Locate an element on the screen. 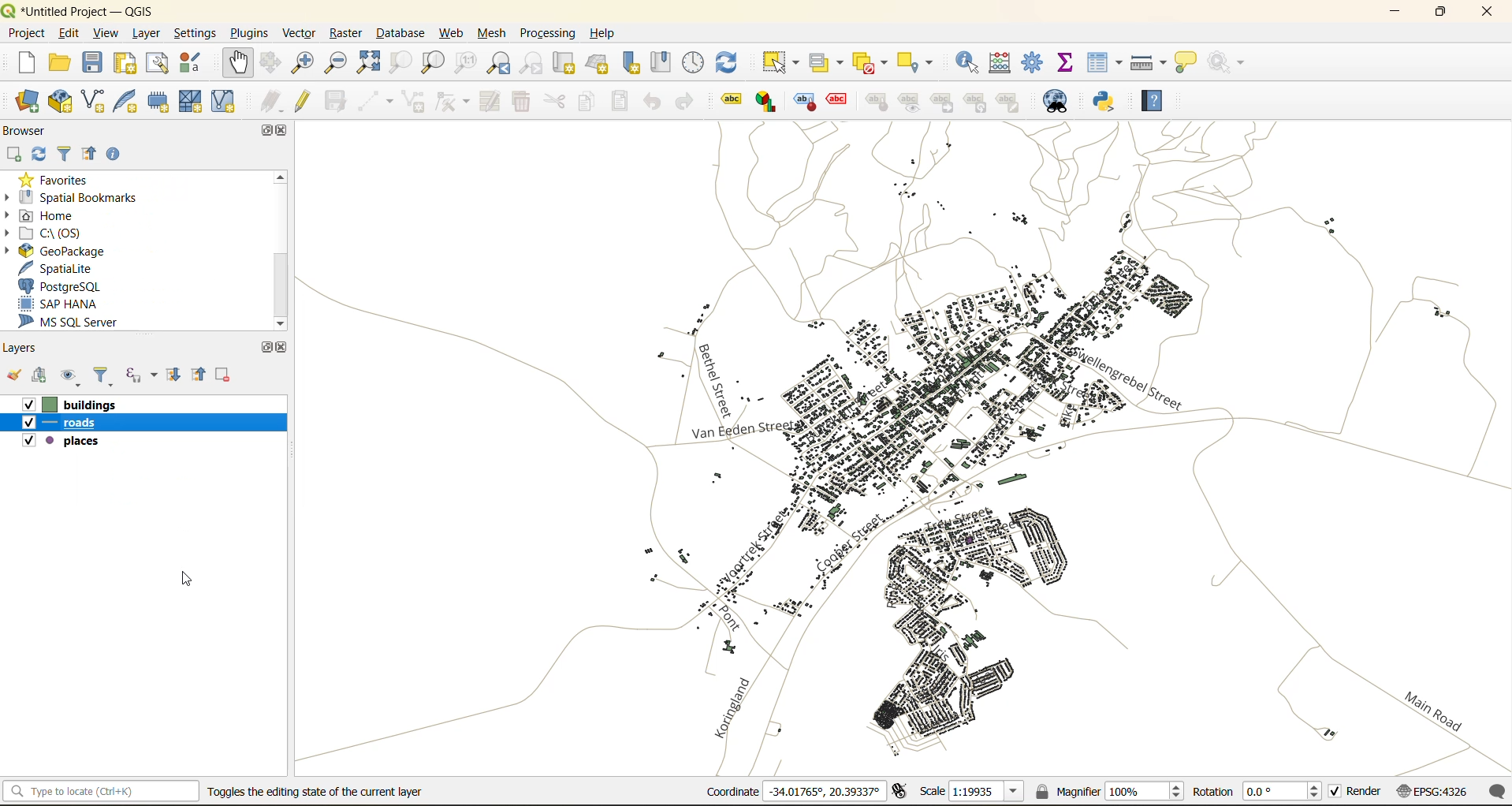 The width and height of the screenshot is (1512, 806). highlight pinned labels, diagrams and callouts is located at coordinates (807, 103).